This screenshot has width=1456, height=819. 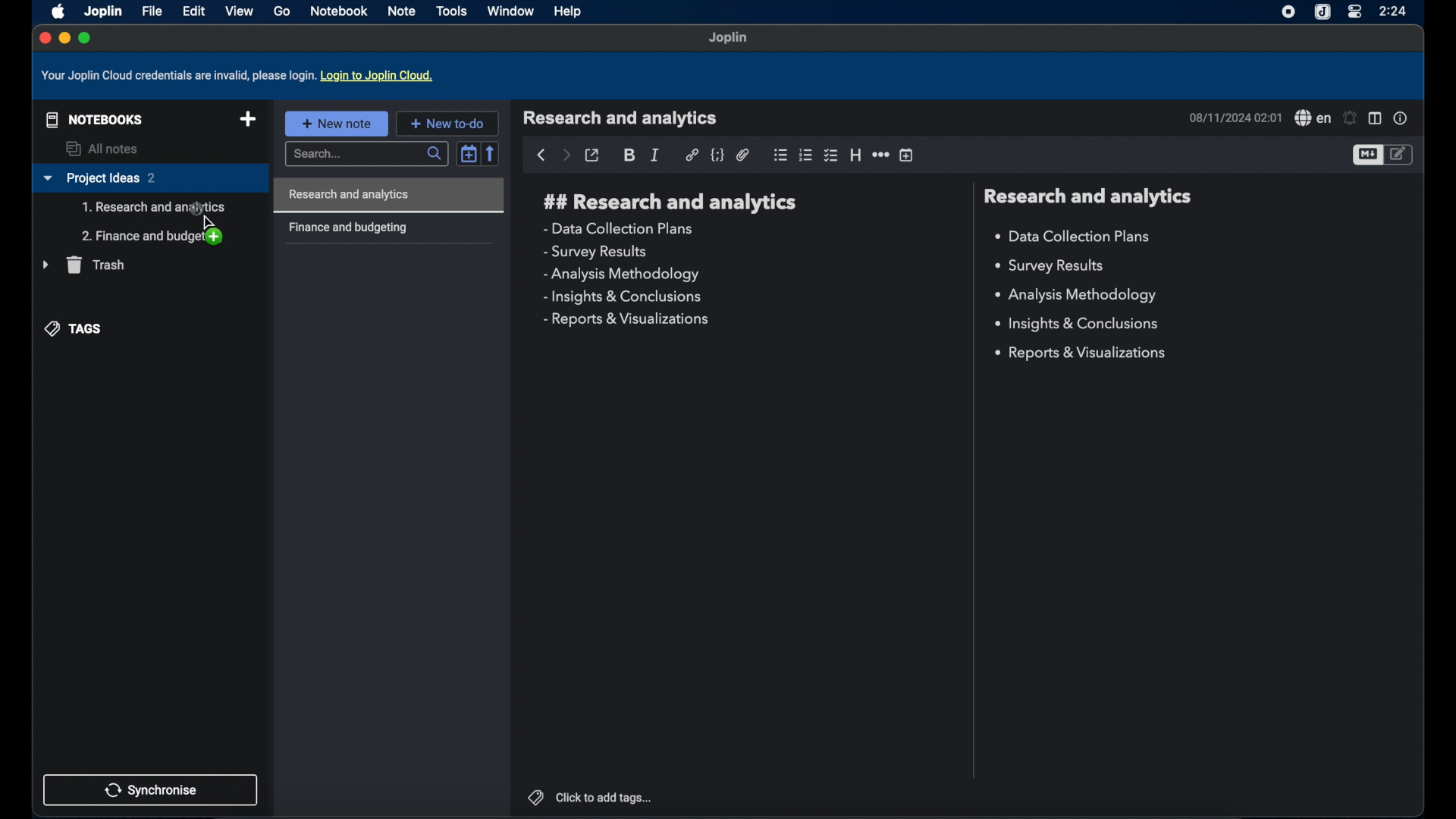 What do you see at coordinates (692, 155) in the screenshot?
I see `hyperlink` at bounding box center [692, 155].